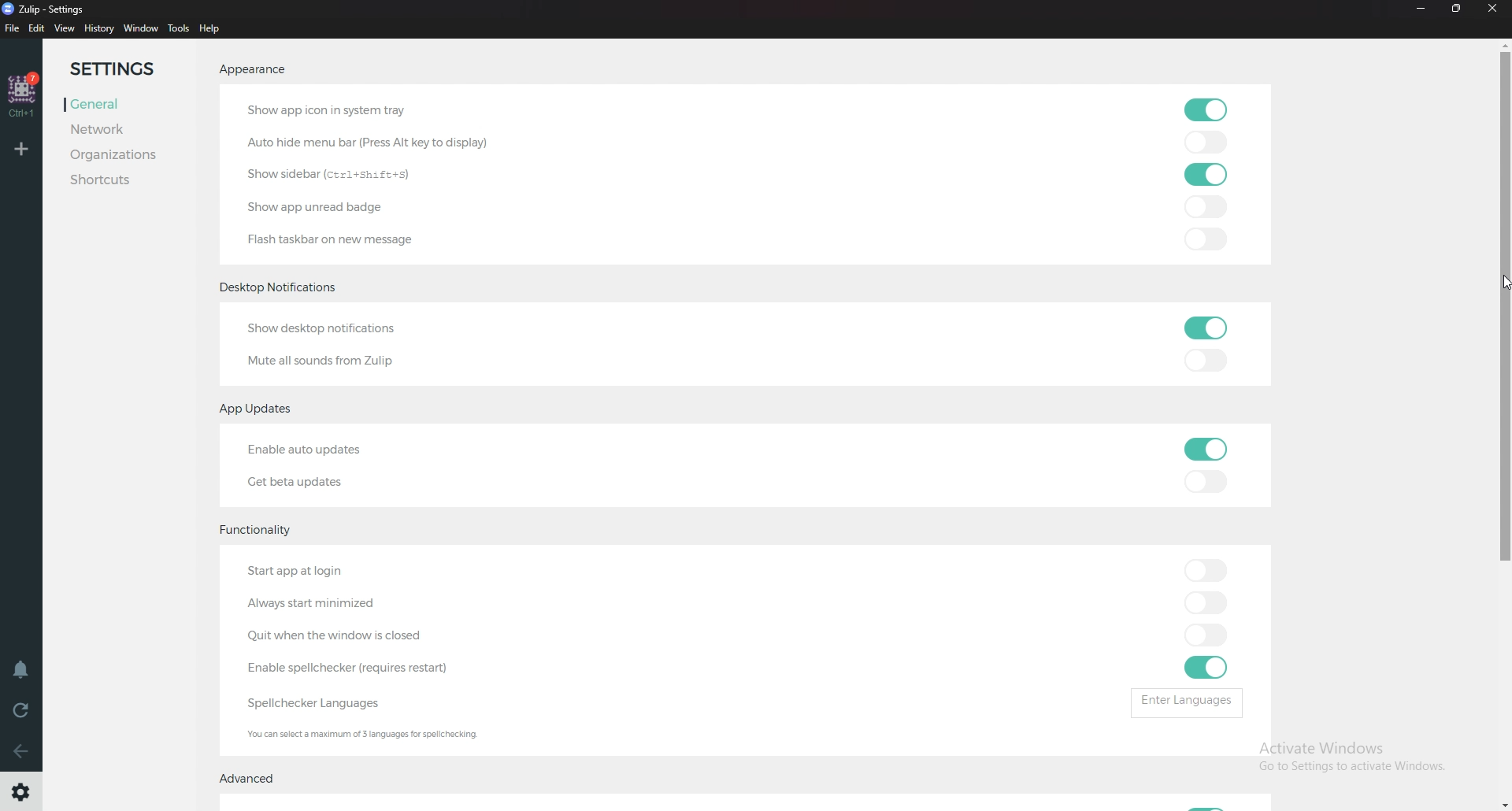  I want to click on home, so click(22, 95).